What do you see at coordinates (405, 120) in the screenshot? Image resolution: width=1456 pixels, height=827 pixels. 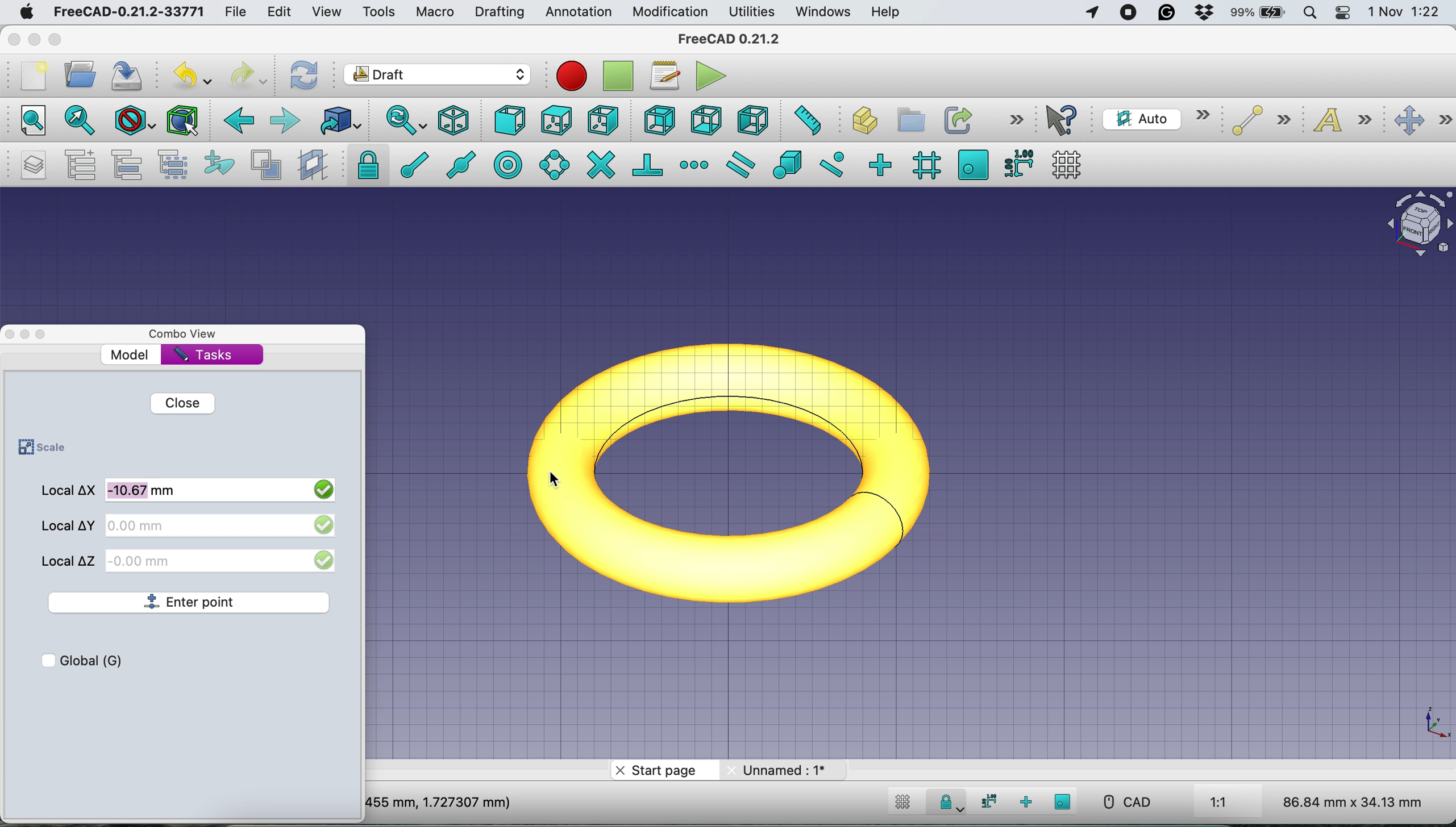 I see `sync view` at bounding box center [405, 120].